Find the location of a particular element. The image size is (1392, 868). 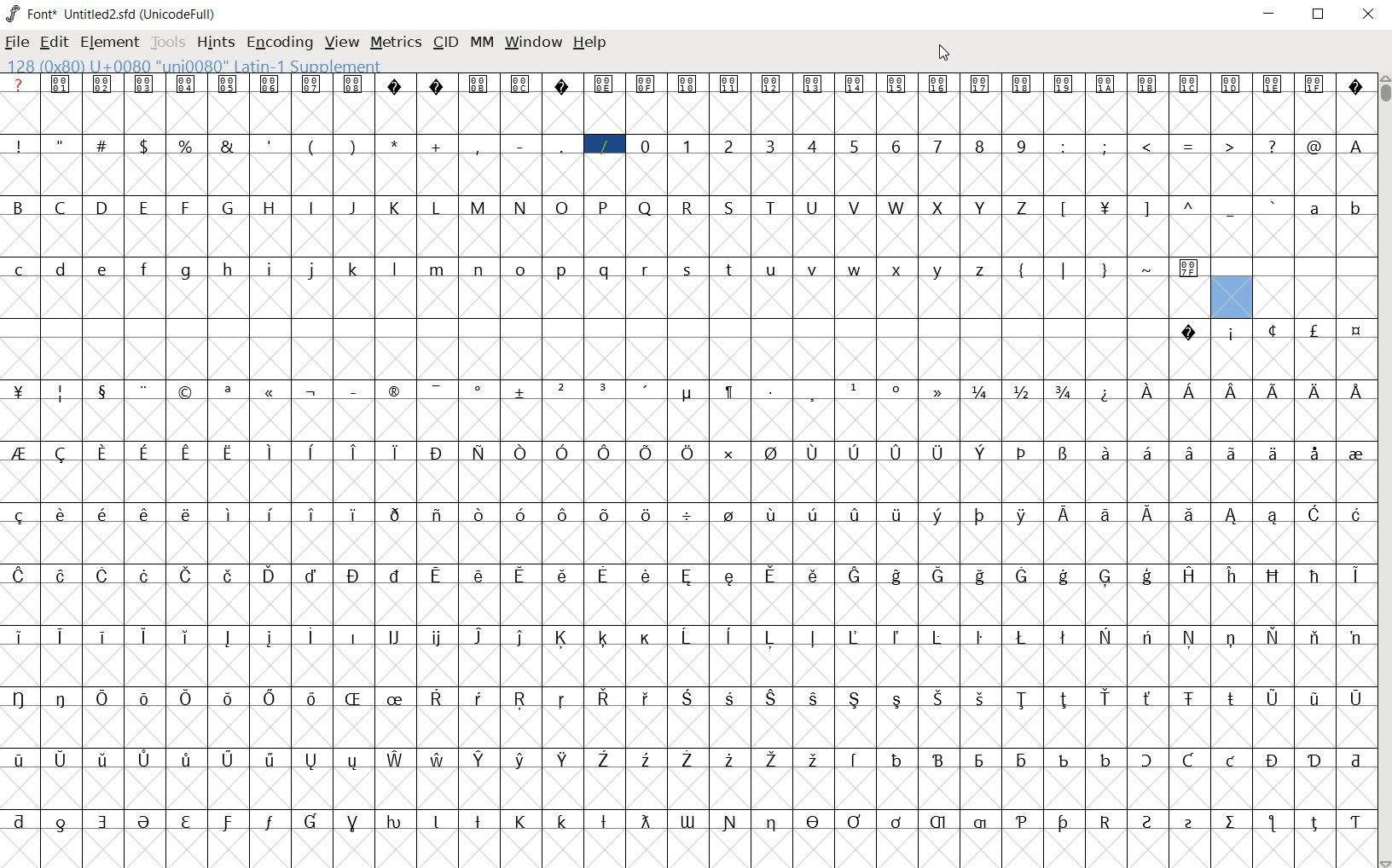

glyph is located at coordinates (395, 636).